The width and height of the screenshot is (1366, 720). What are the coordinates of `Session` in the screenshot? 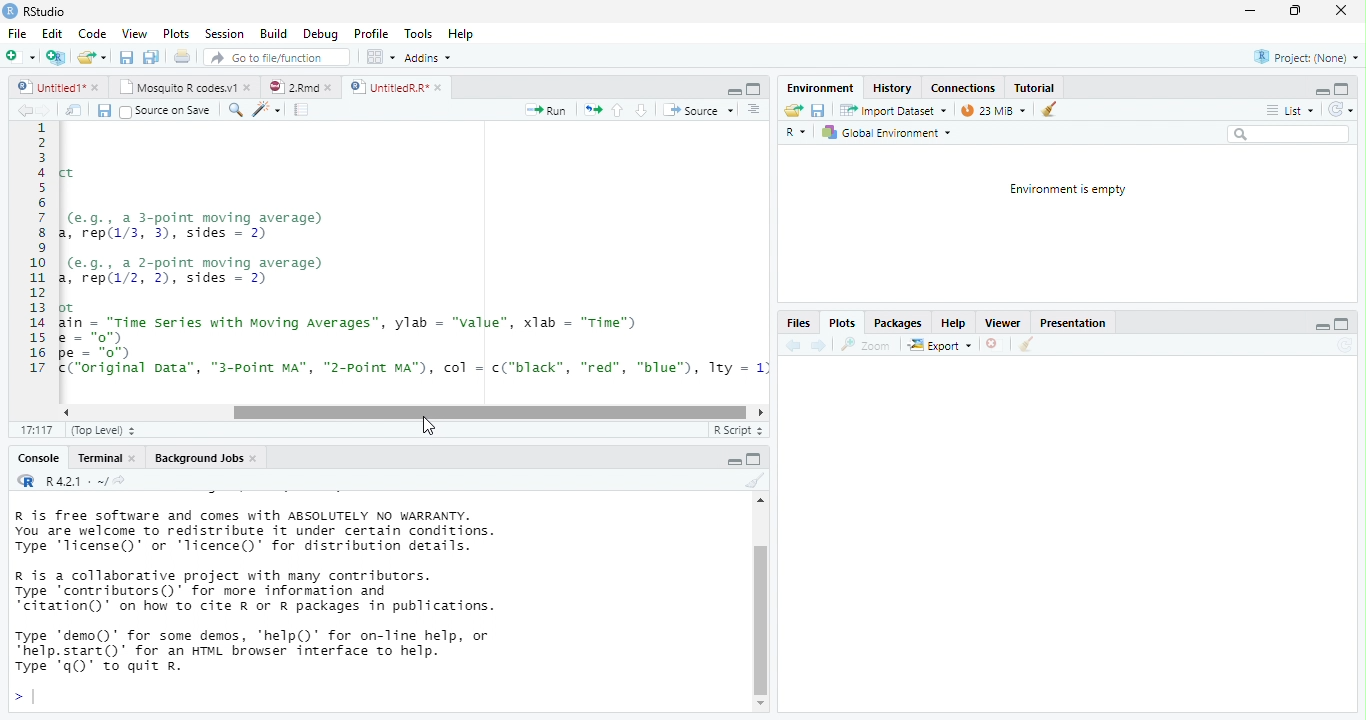 It's located at (224, 33).